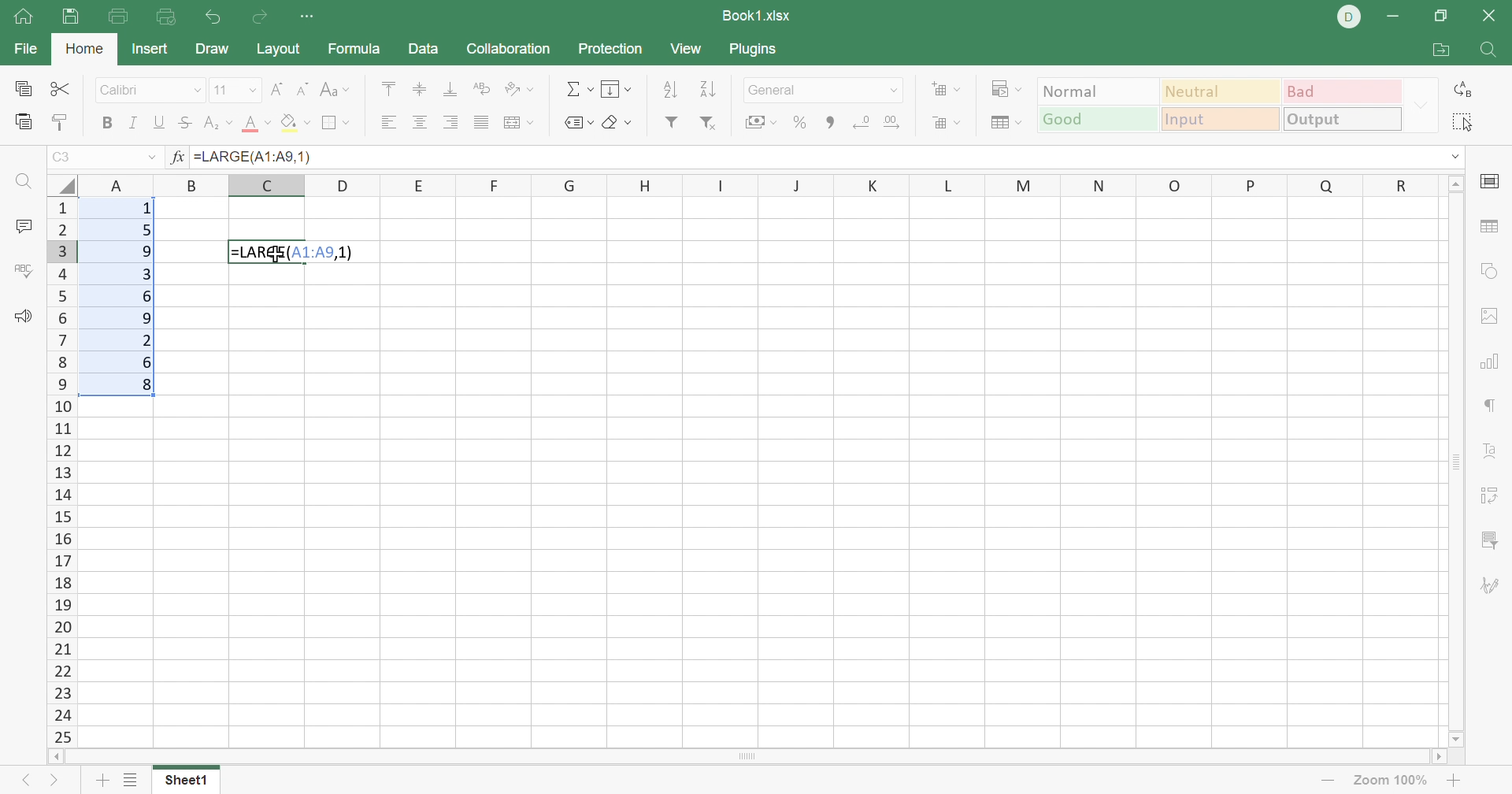 This screenshot has width=1512, height=794. I want to click on List of sheets, so click(131, 781).